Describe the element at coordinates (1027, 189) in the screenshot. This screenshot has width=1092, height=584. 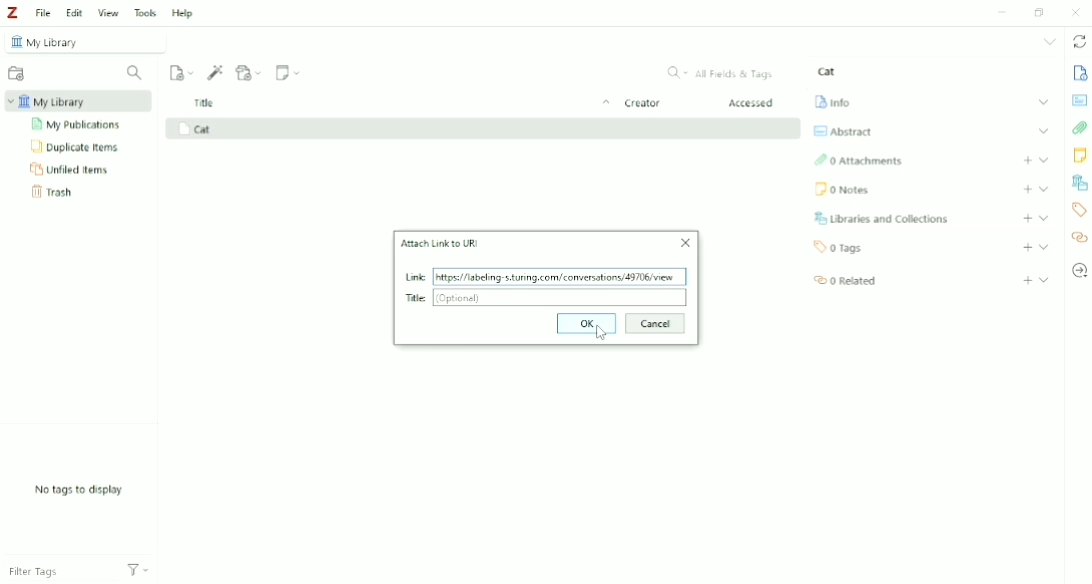
I see `Add` at that location.